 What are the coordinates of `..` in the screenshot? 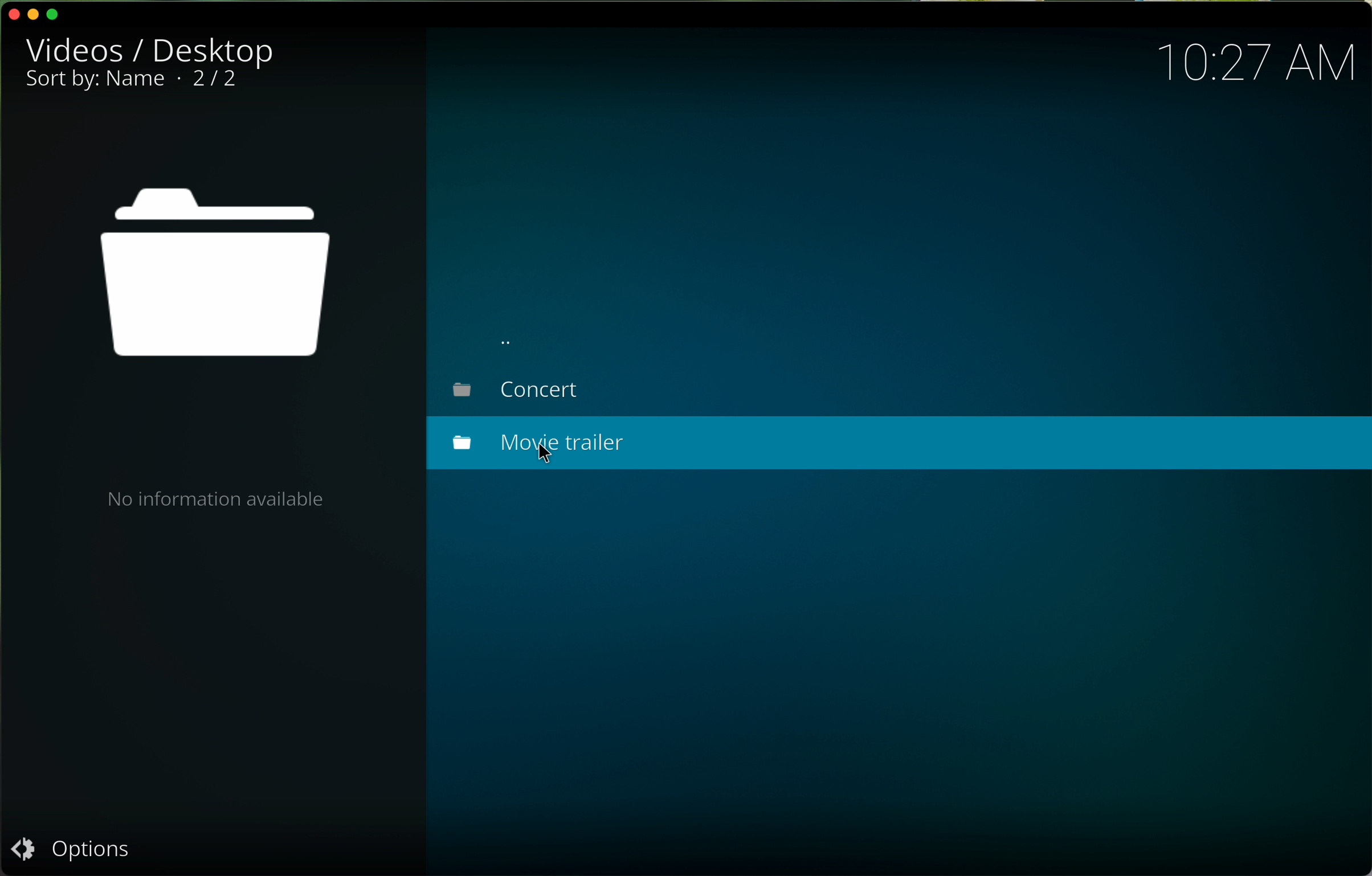 It's located at (511, 337).